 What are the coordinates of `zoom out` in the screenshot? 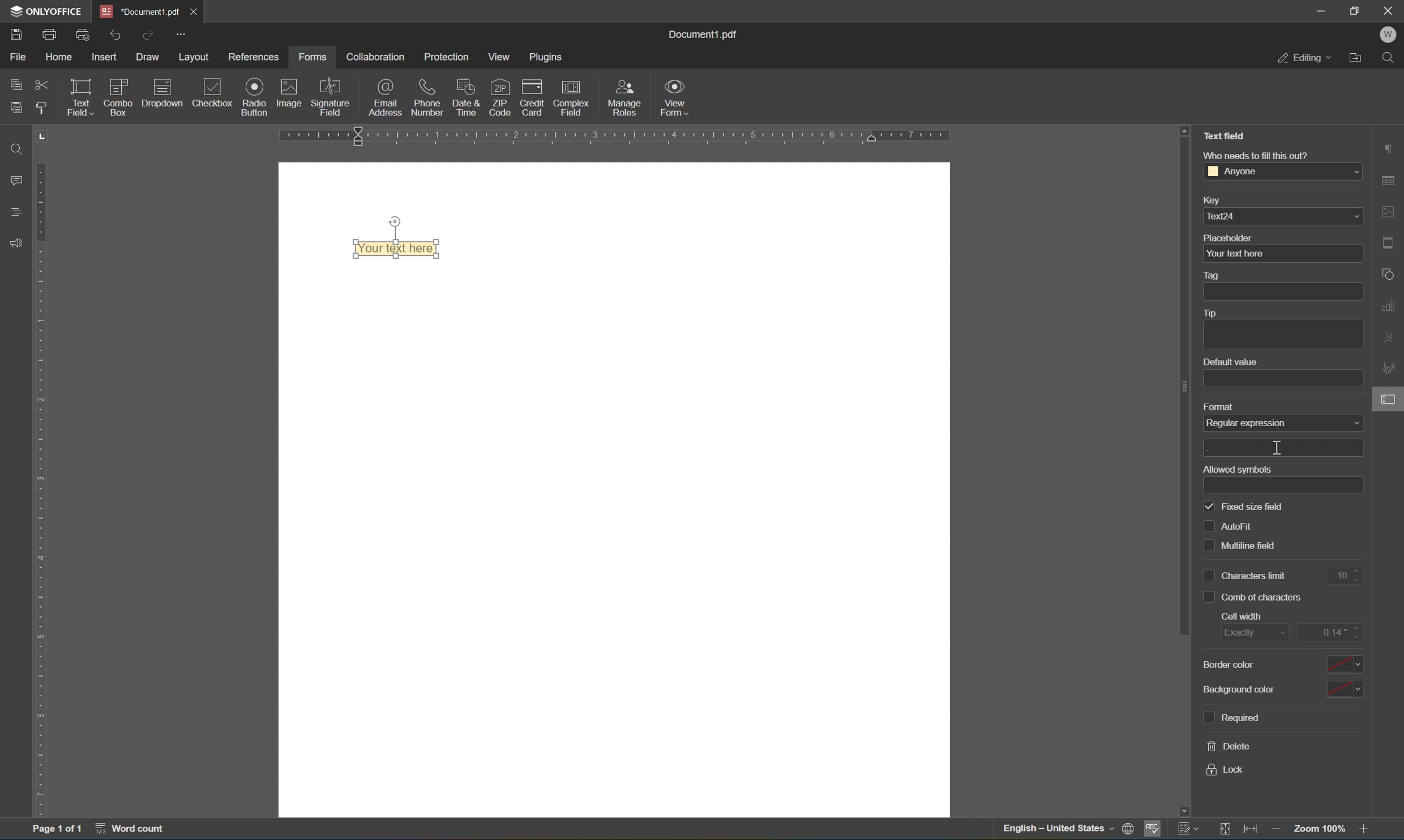 It's located at (1322, 829).